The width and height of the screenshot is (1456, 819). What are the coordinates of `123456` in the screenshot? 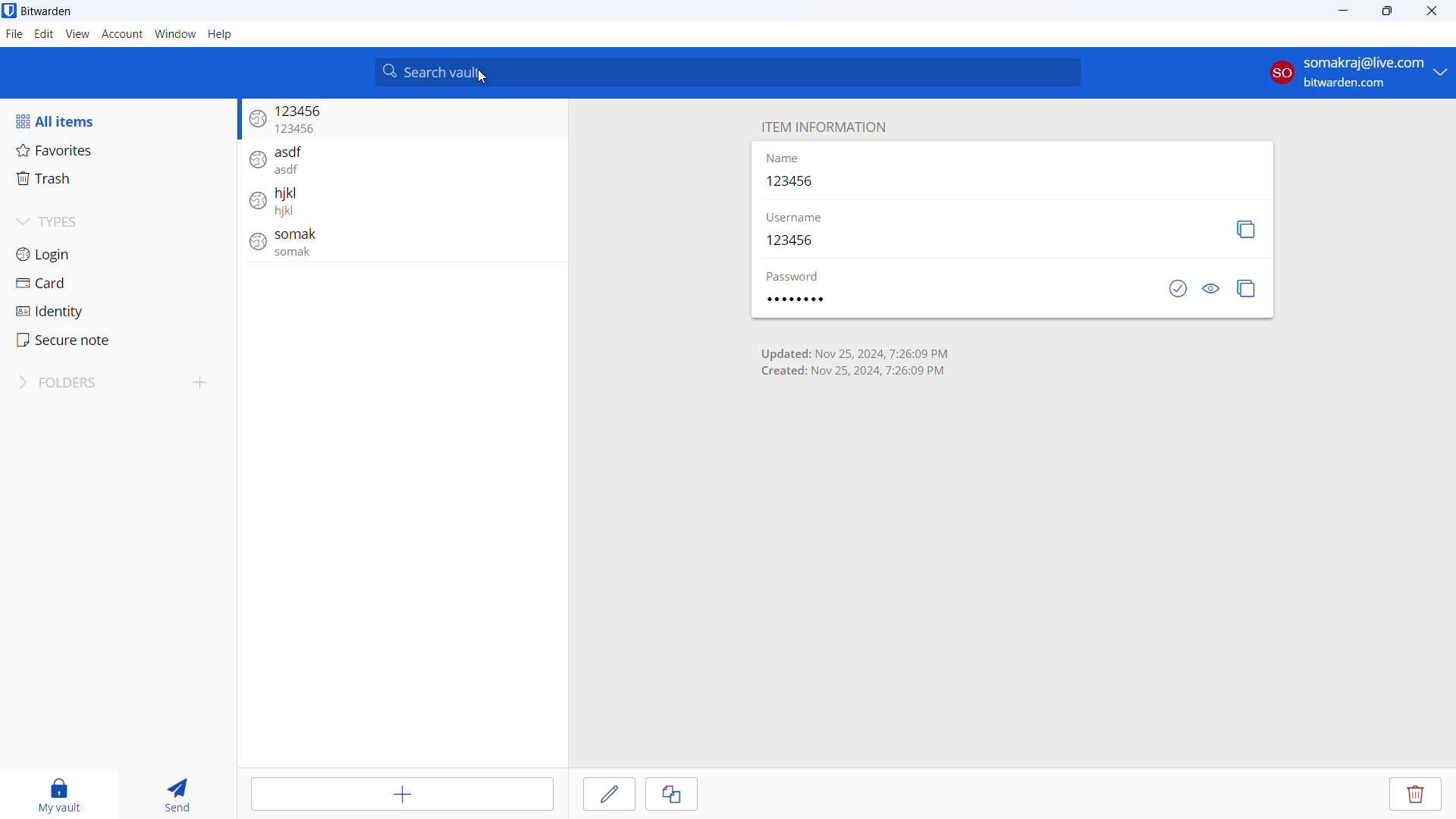 It's located at (797, 240).